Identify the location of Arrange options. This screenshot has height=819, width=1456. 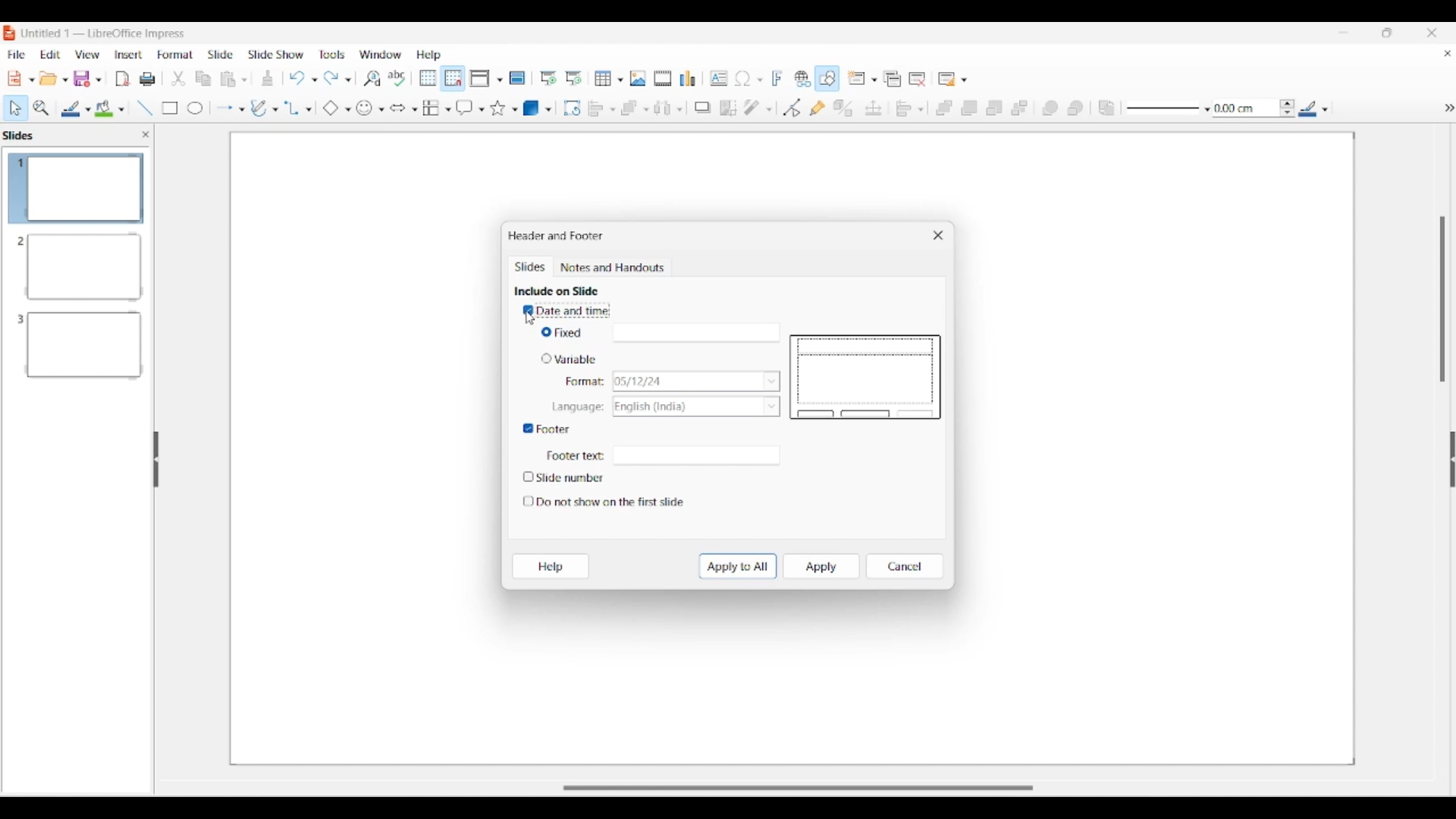
(634, 108).